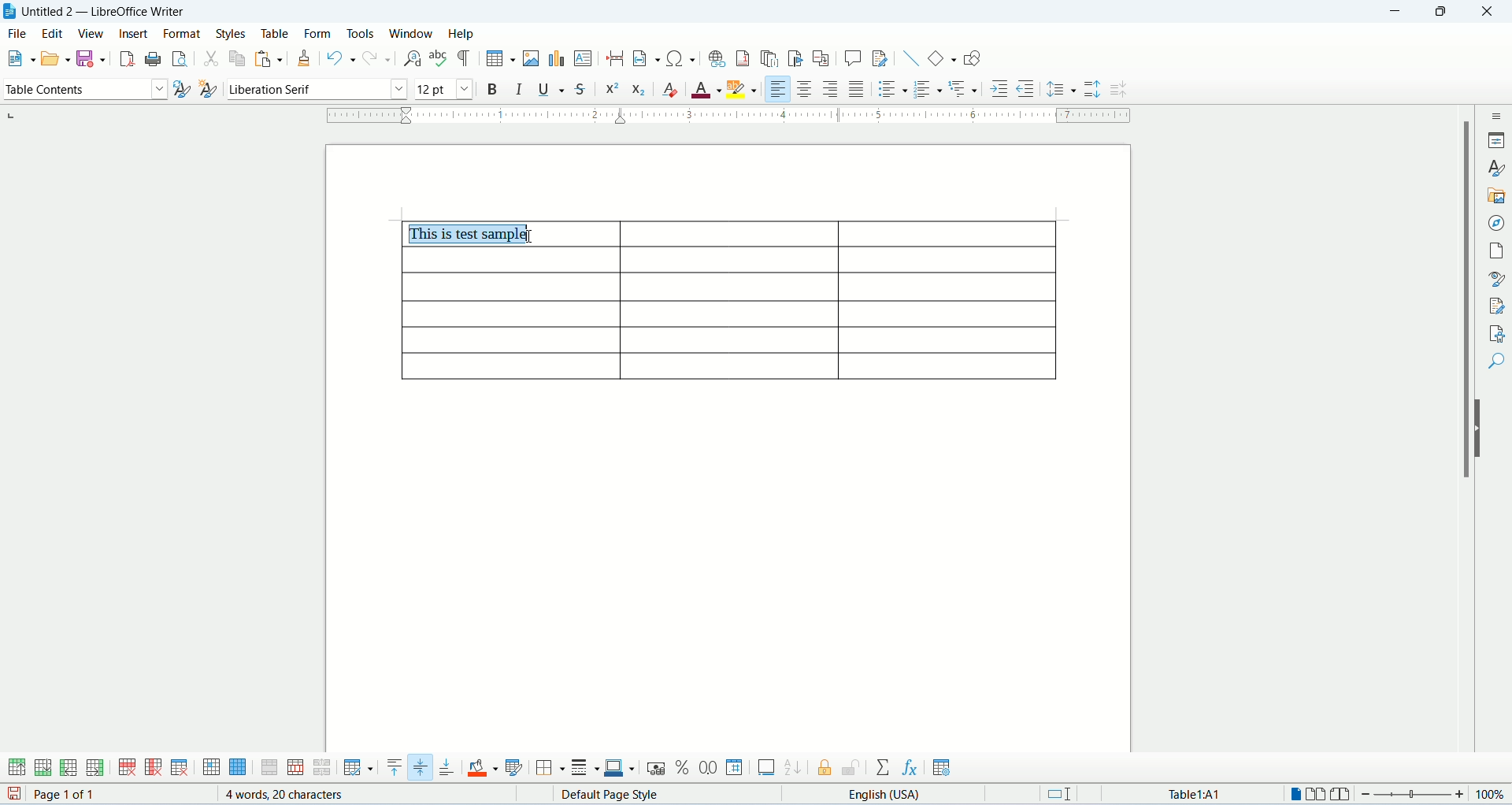 The width and height of the screenshot is (1512, 805). Describe the element at coordinates (237, 58) in the screenshot. I see `copy` at that location.